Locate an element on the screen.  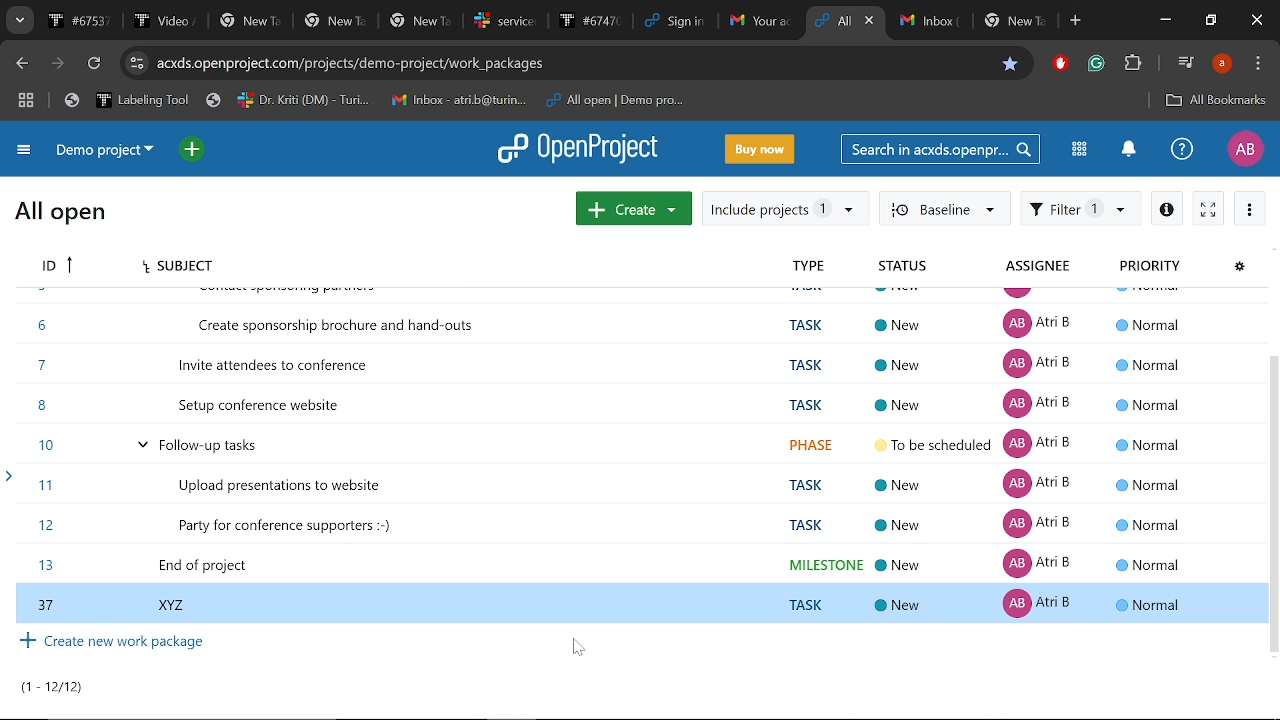
Priority is located at coordinates (1154, 266).